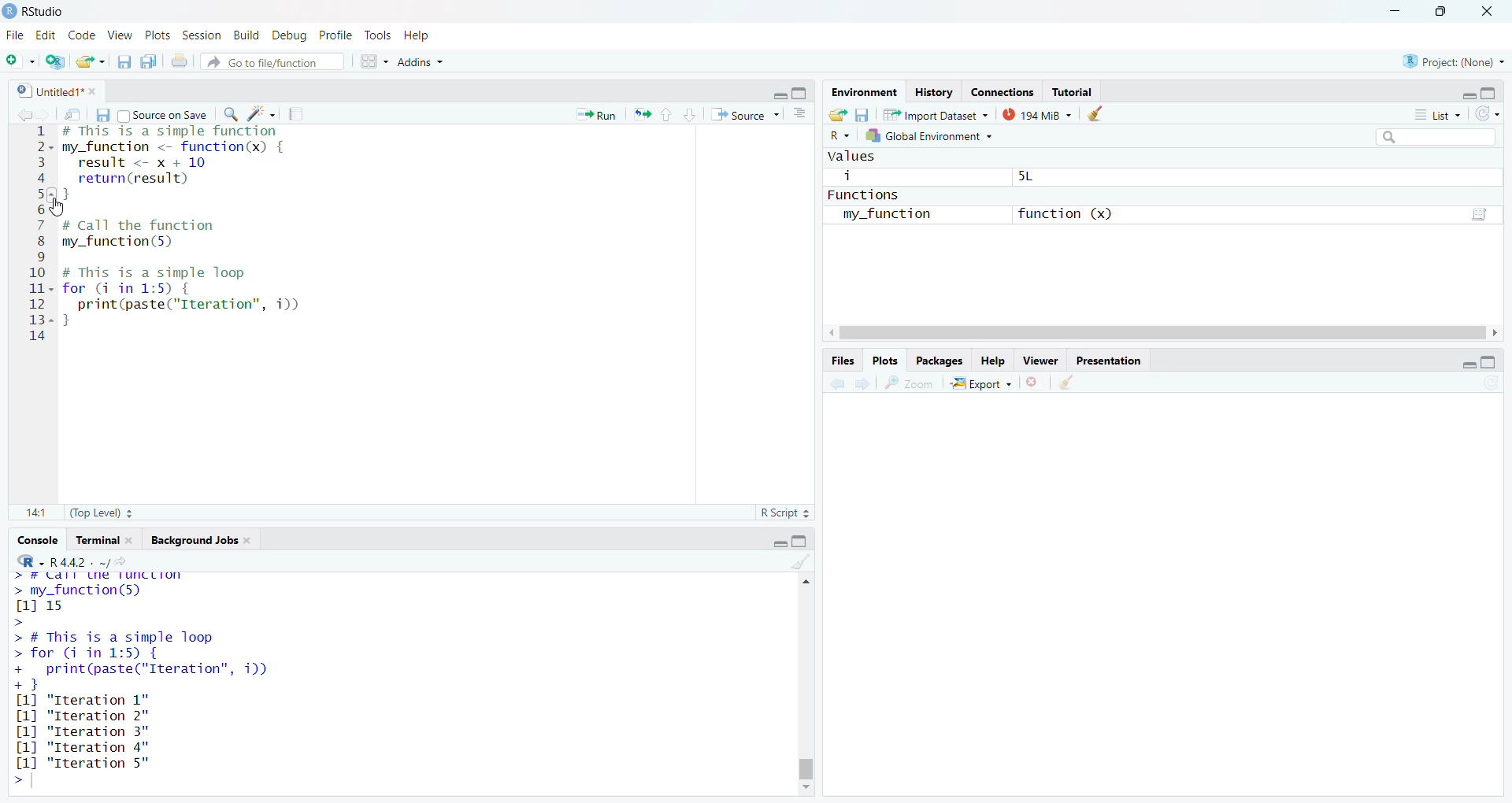 This screenshot has height=803, width=1512. What do you see at coordinates (86, 716) in the screenshot?
I see `[1] "Iteration 2"` at bounding box center [86, 716].